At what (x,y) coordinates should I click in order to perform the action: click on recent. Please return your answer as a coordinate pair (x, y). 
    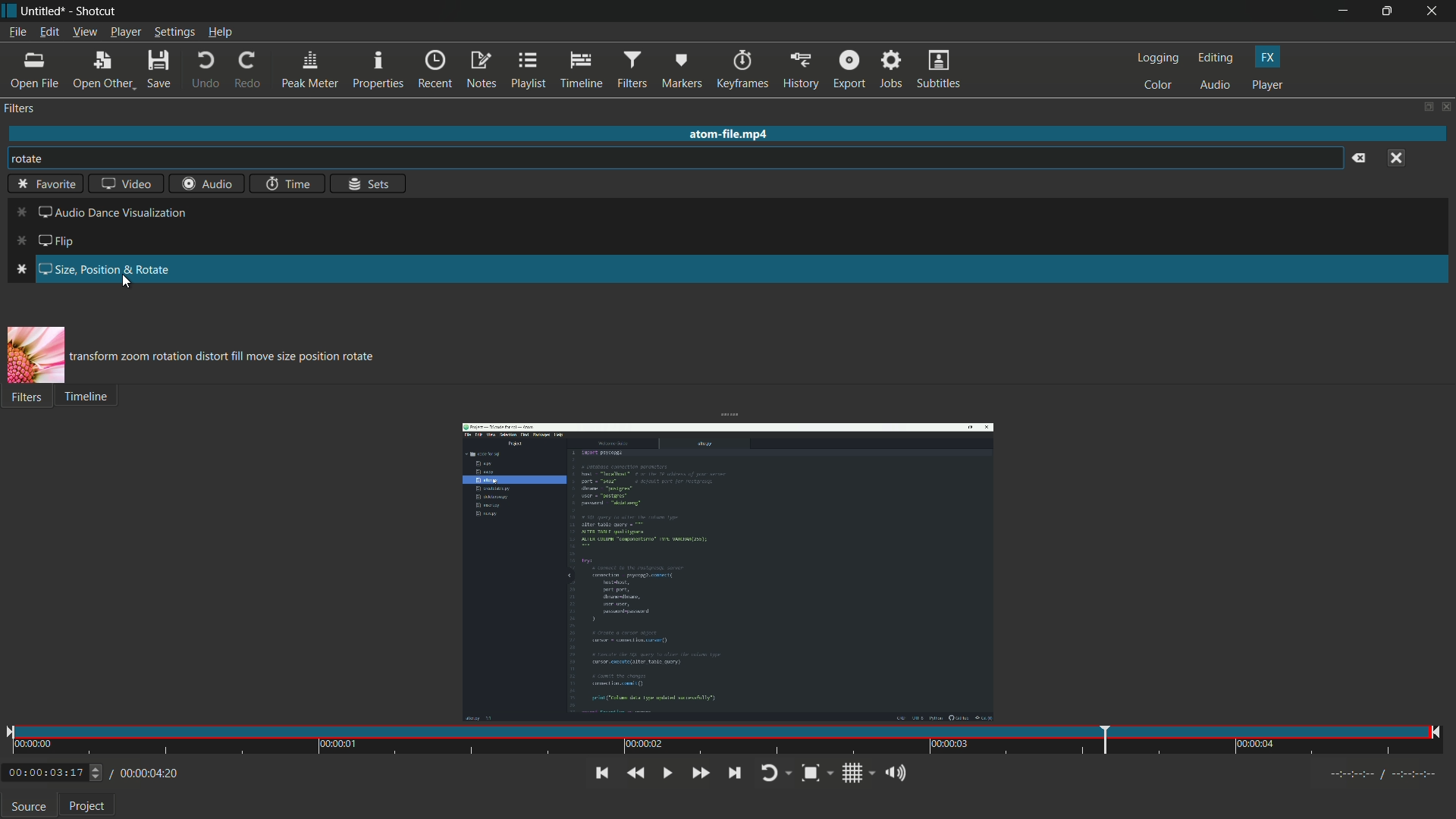
    Looking at the image, I should click on (435, 70).